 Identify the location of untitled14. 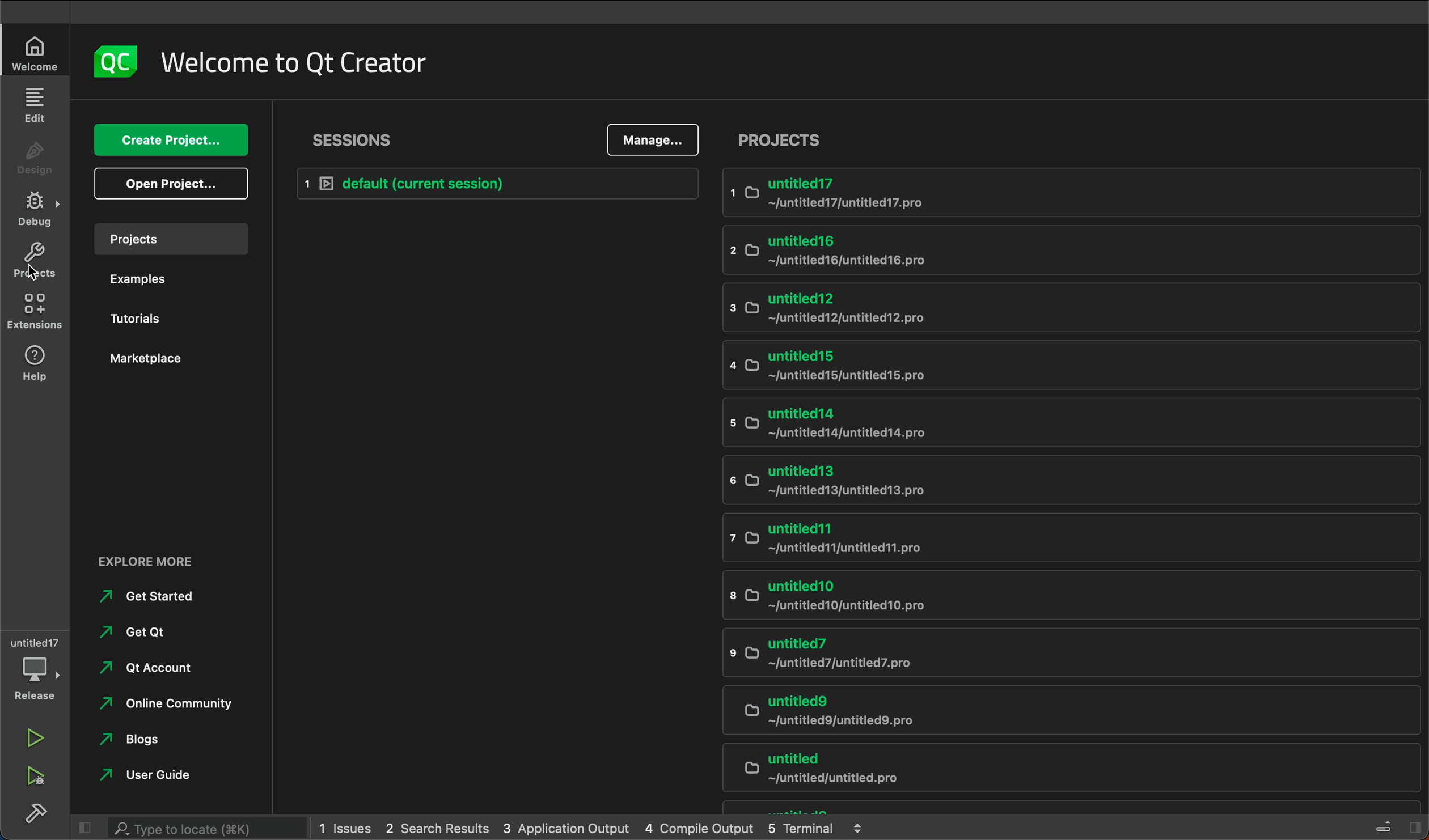
(1037, 419).